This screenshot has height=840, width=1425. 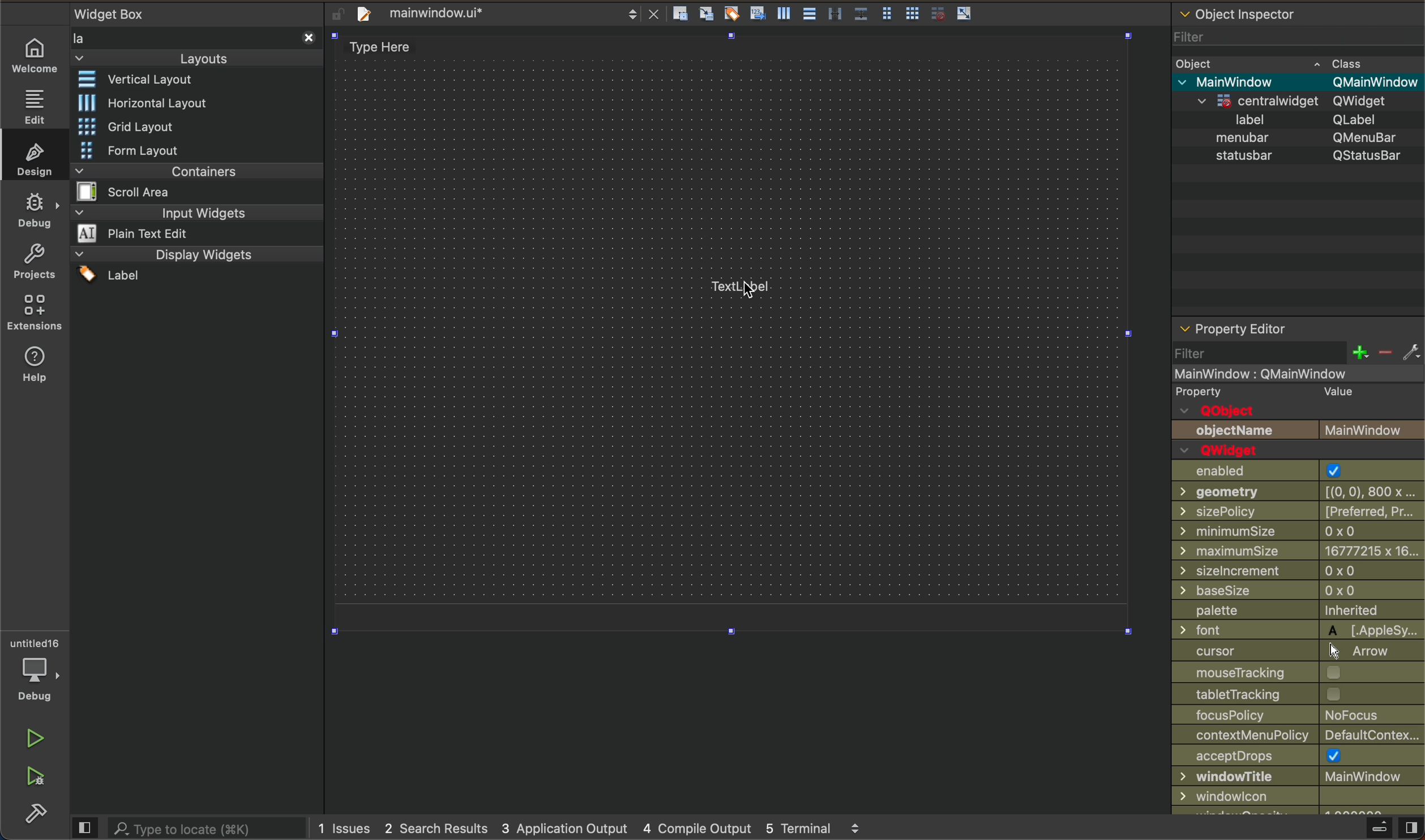 I want to click on q object, so click(x=1244, y=412).